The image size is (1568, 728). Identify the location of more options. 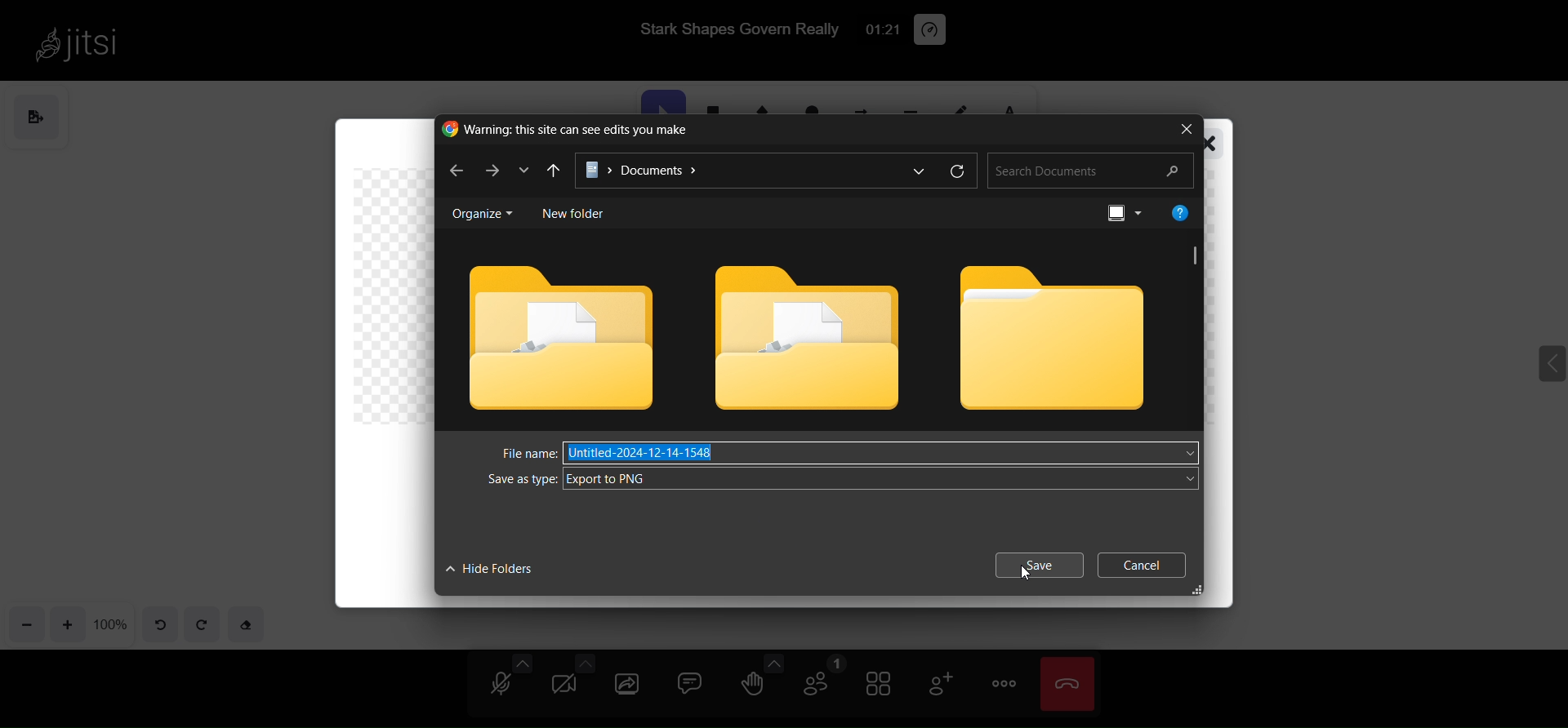
(917, 173).